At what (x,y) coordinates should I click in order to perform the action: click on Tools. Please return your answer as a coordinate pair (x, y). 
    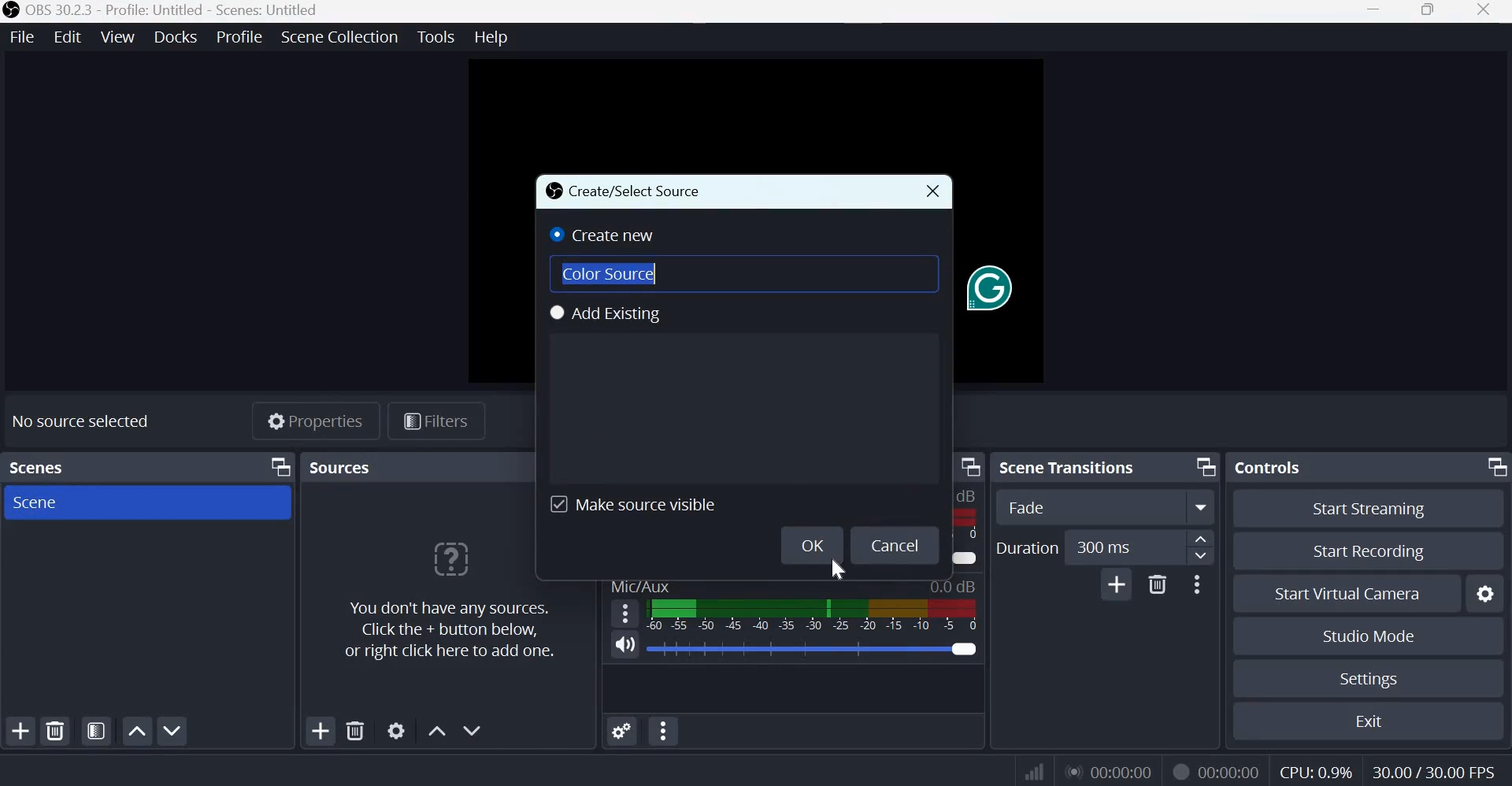
    Looking at the image, I should click on (437, 37).